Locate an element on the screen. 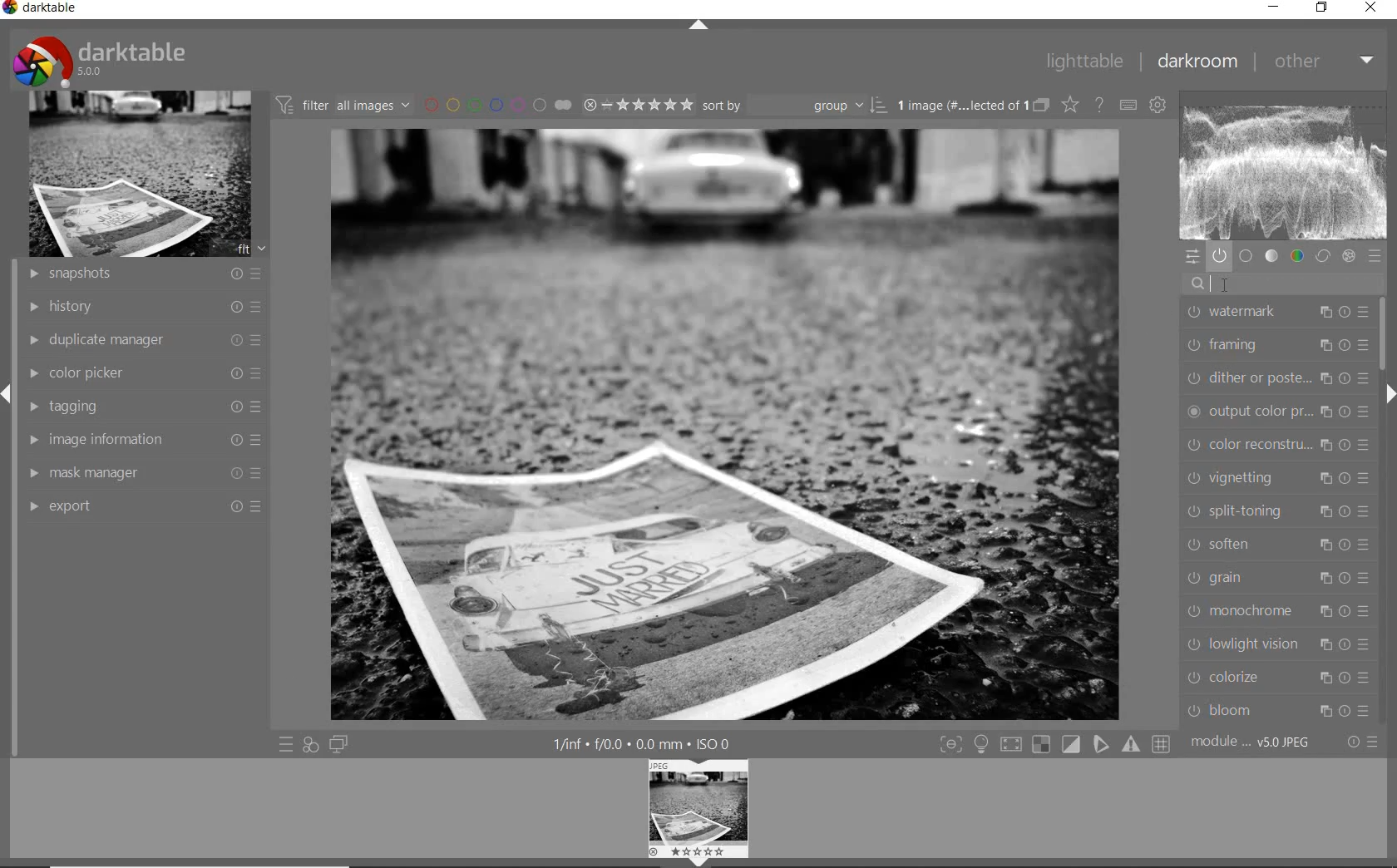 Image resolution: width=1397 pixels, height=868 pixels. bloom is located at coordinates (1277, 710).